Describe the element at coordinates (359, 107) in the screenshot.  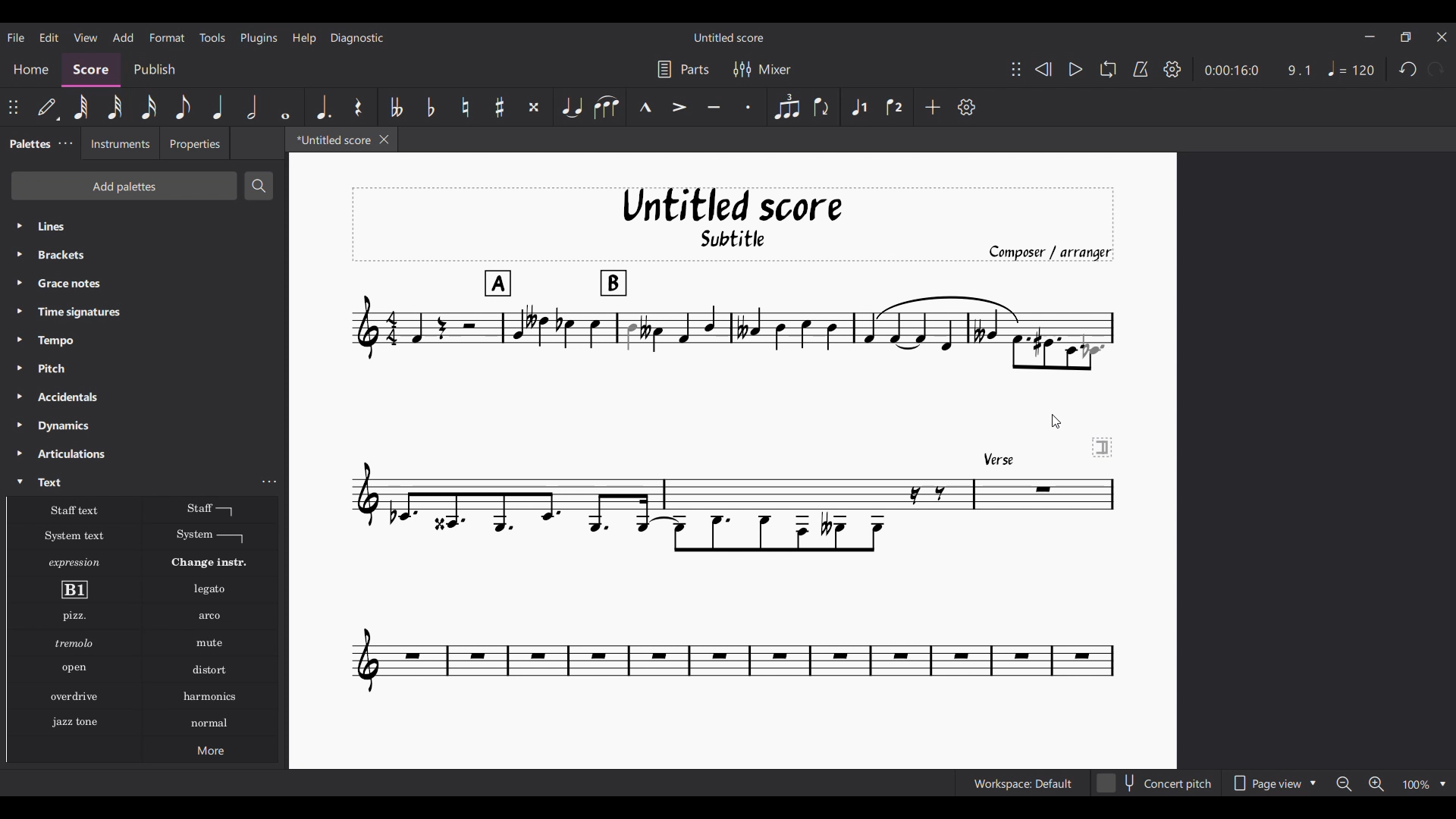
I see `Rest` at that location.